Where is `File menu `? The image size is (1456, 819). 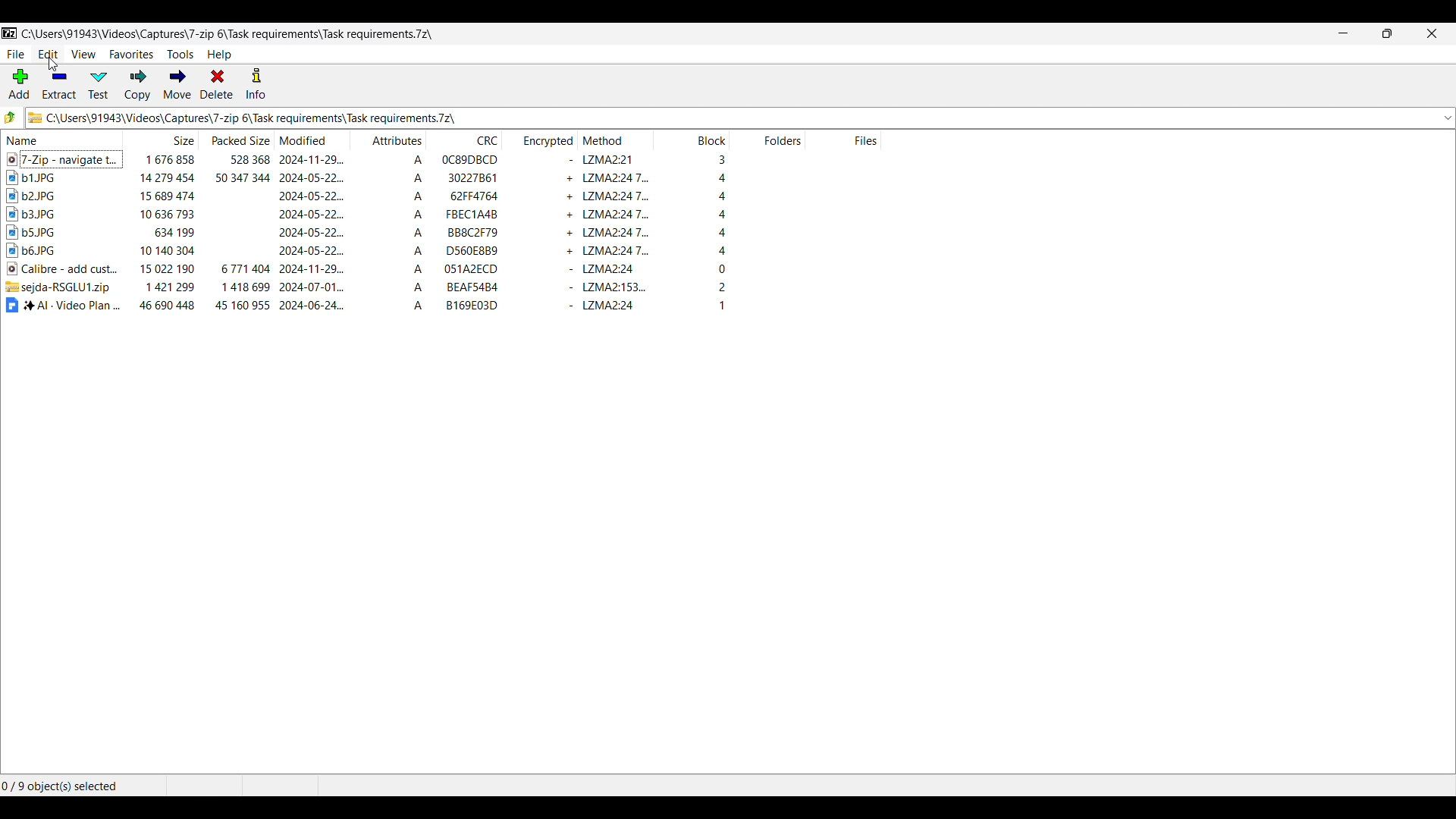 File menu  is located at coordinates (15, 54).